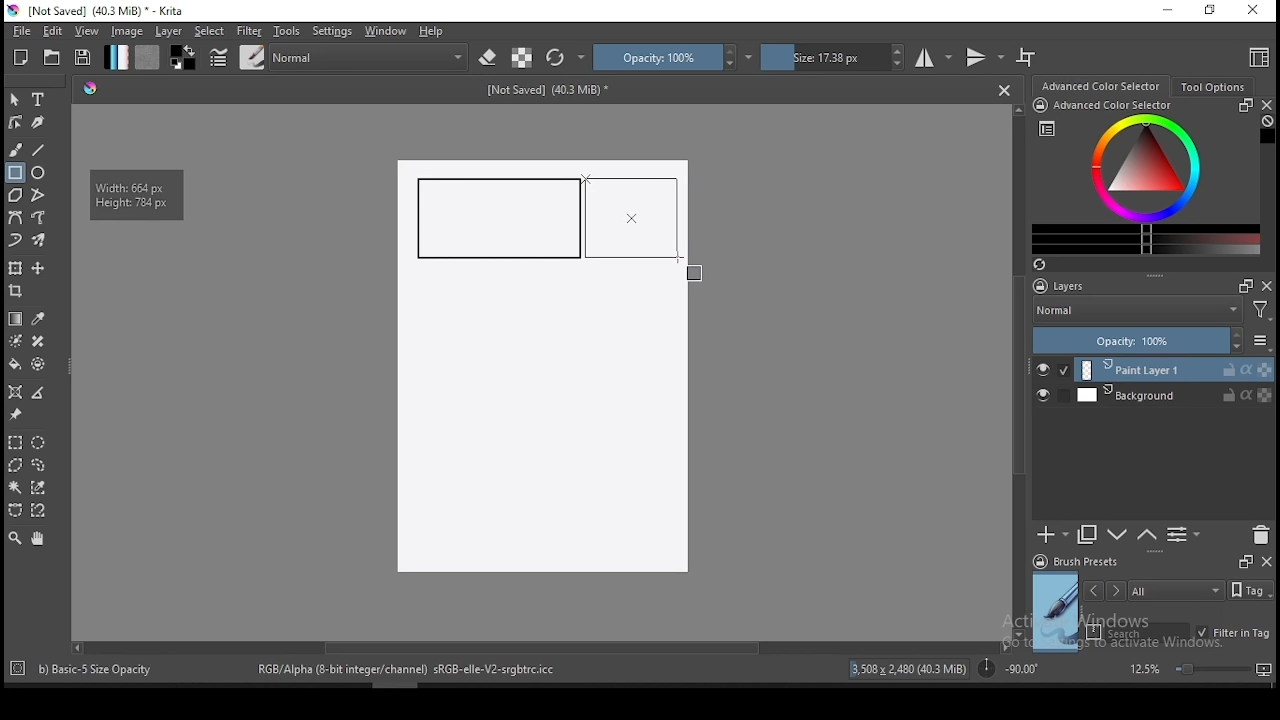 Image resolution: width=1280 pixels, height=720 pixels. What do you see at coordinates (15, 99) in the screenshot?
I see `select shapes tool` at bounding box center [15, 99].